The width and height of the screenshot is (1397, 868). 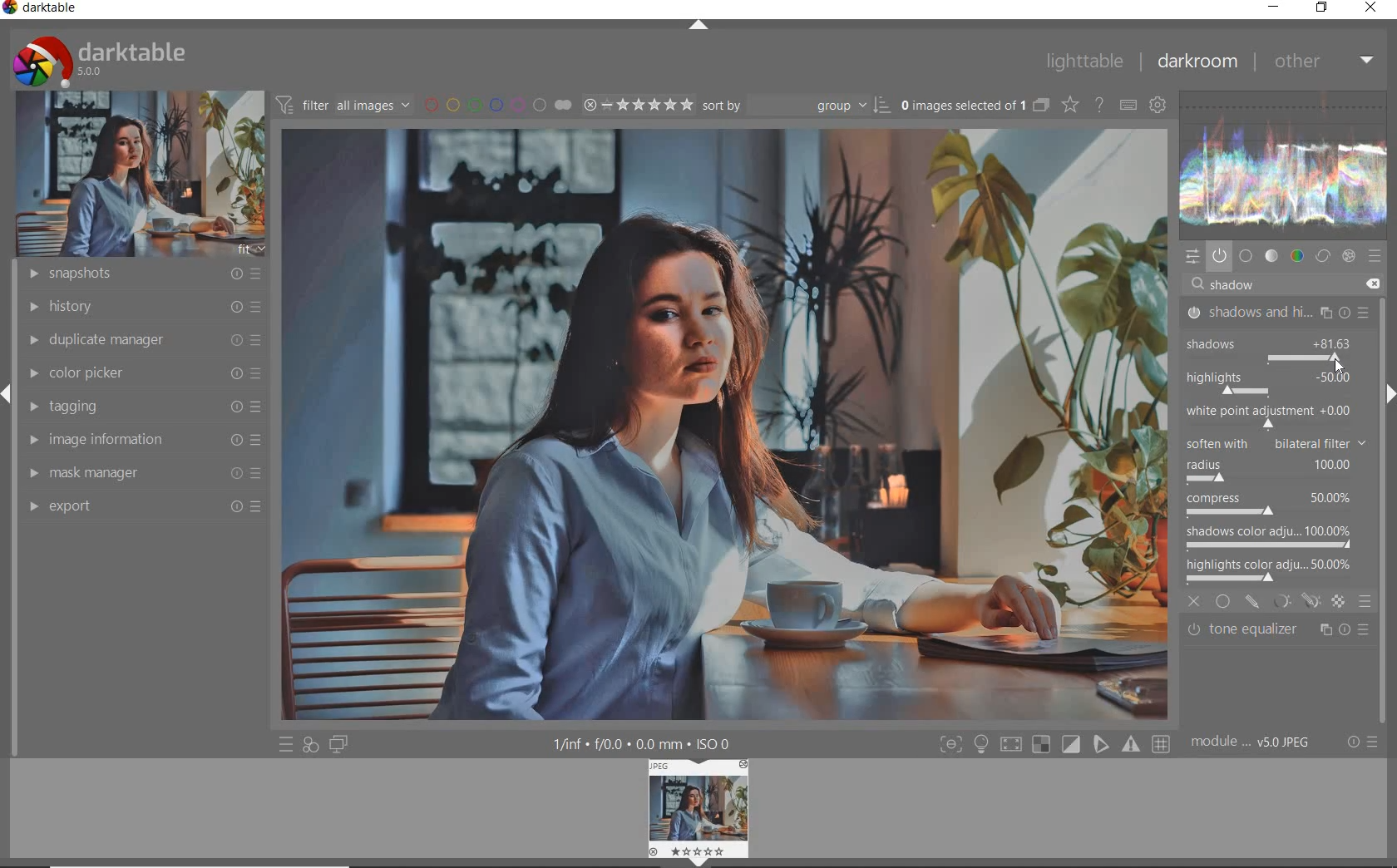 What do you see at coordinates (1128, 106) in the screenshot?
I see `define keyboard shortcuts` at bounding box center [1128, 106].